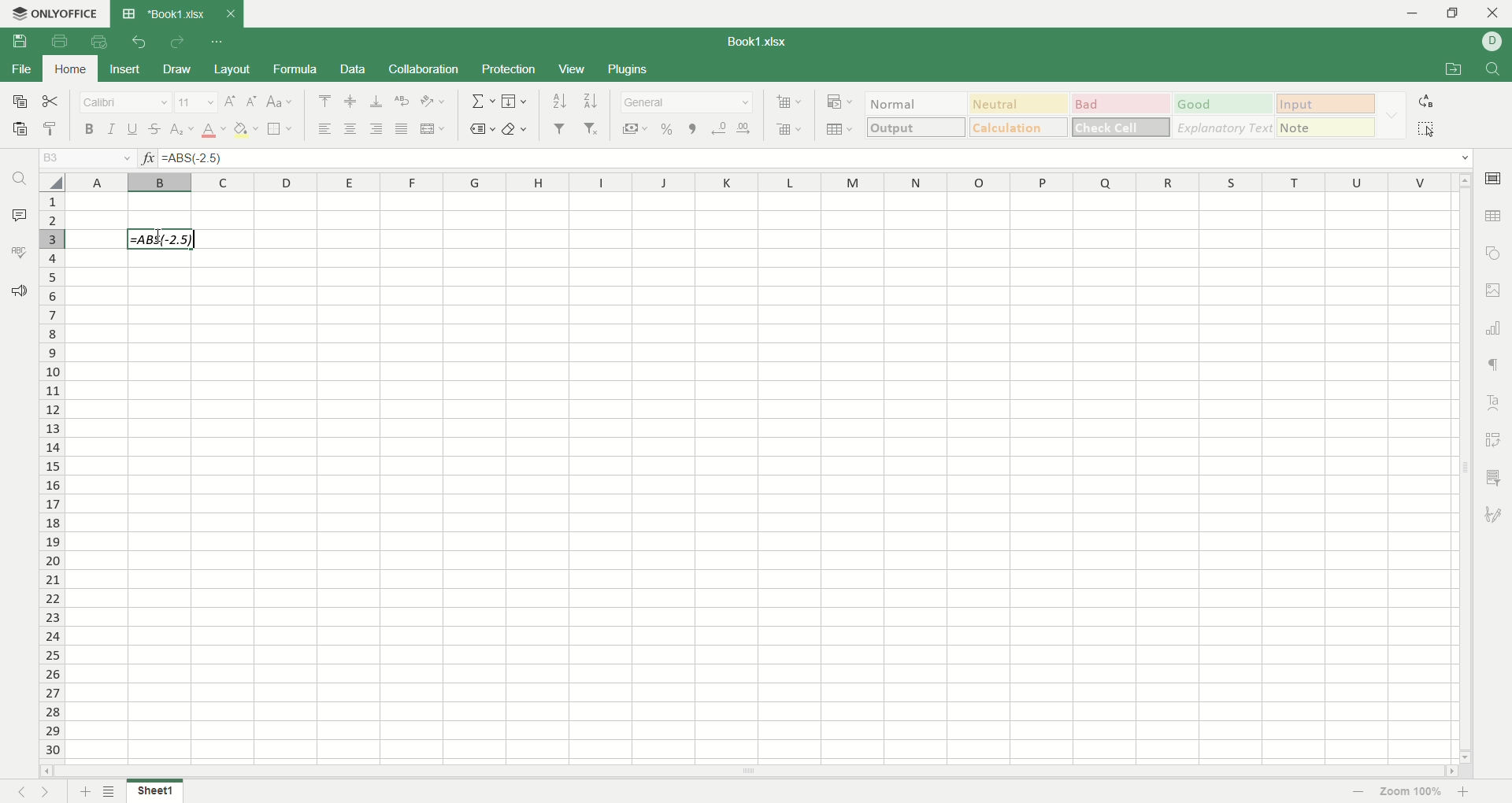 The width and height of the screenshot is (1512, 803). I want to click on formula, so click(297, 68).